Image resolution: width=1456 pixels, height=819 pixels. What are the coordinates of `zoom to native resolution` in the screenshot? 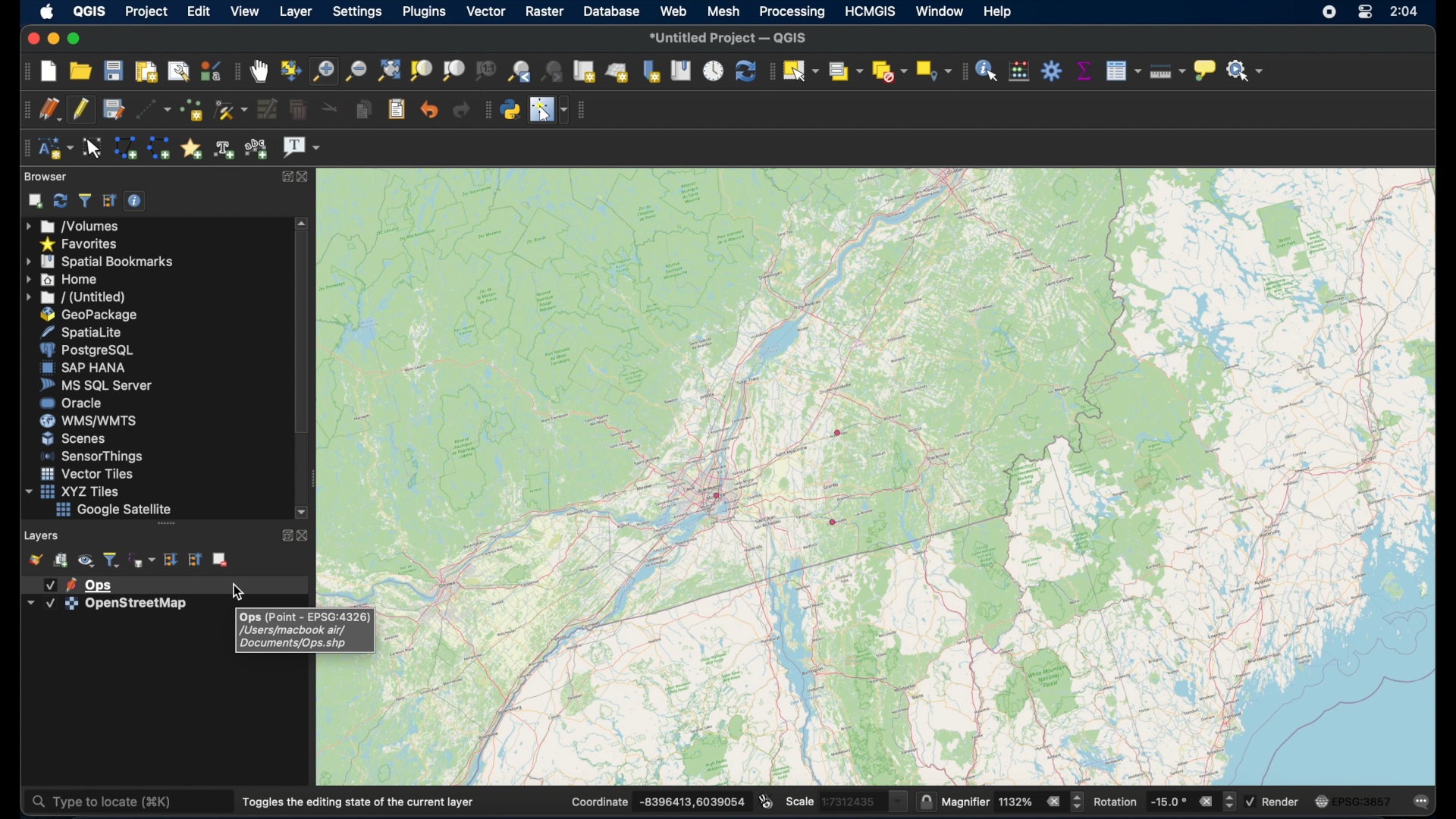 It's located at (485, 71).